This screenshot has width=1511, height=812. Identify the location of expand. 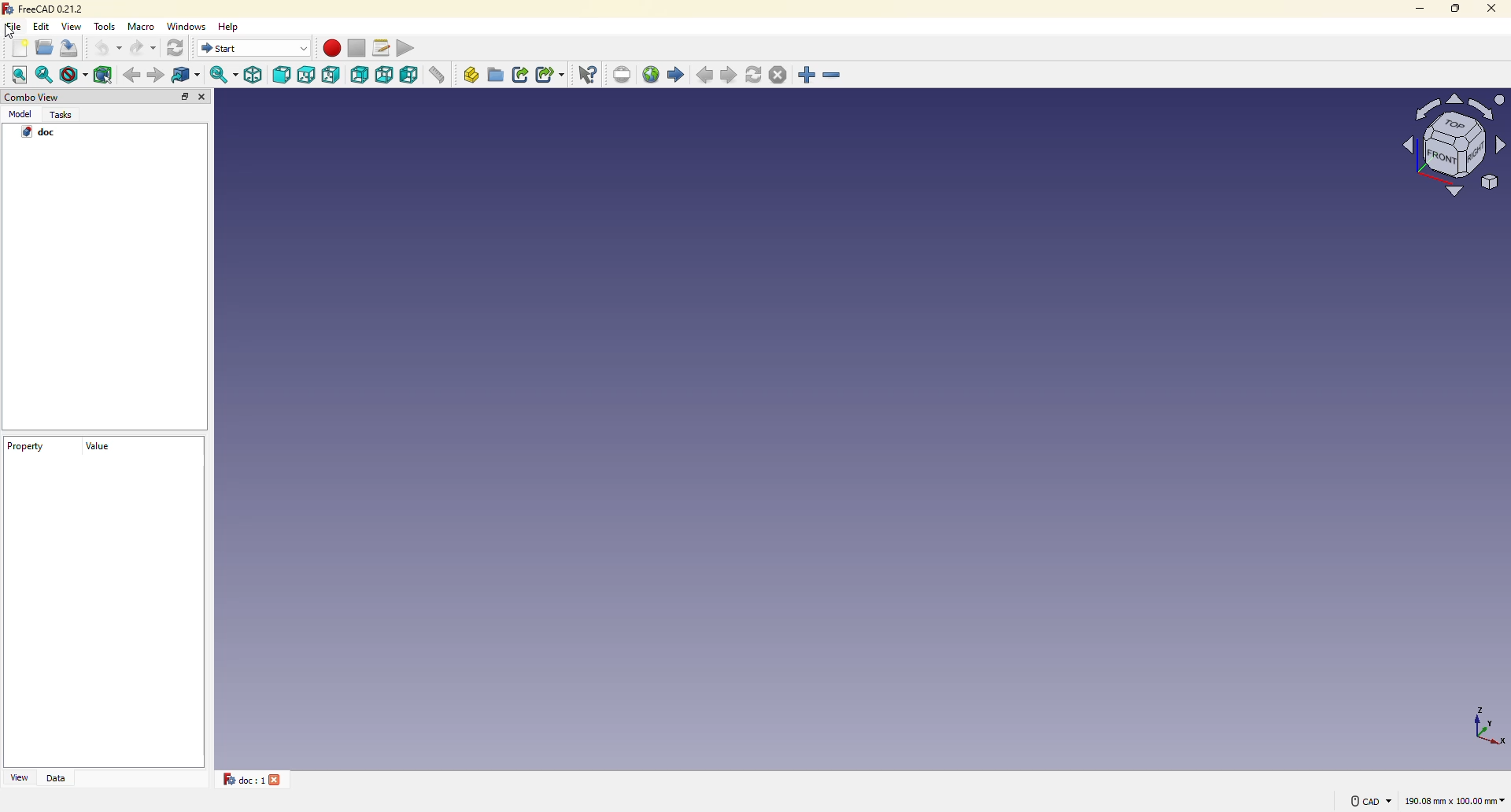
(185, 97).